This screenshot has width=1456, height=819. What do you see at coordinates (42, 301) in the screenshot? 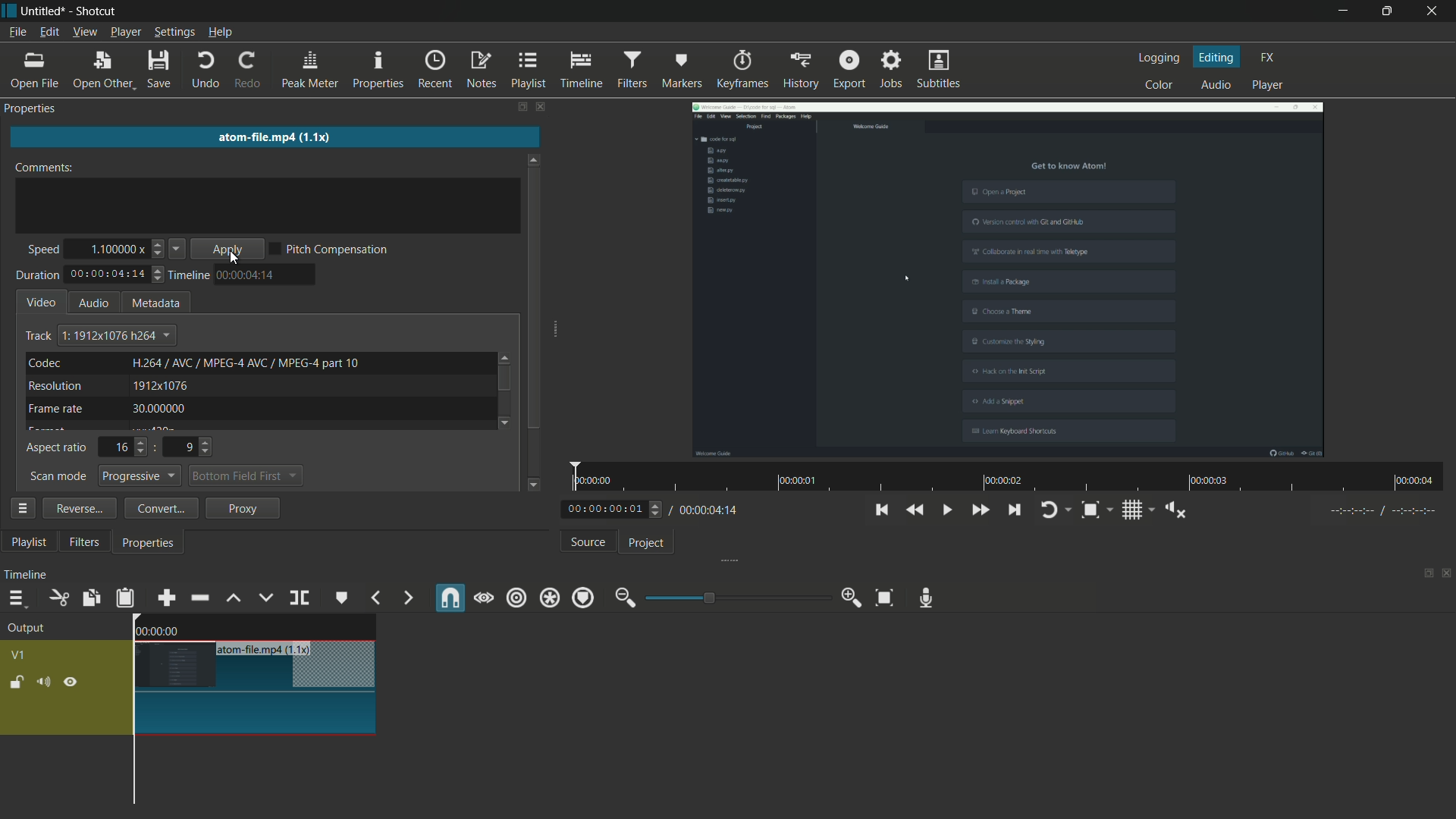
I see `video` at bounding box center [42, 301].